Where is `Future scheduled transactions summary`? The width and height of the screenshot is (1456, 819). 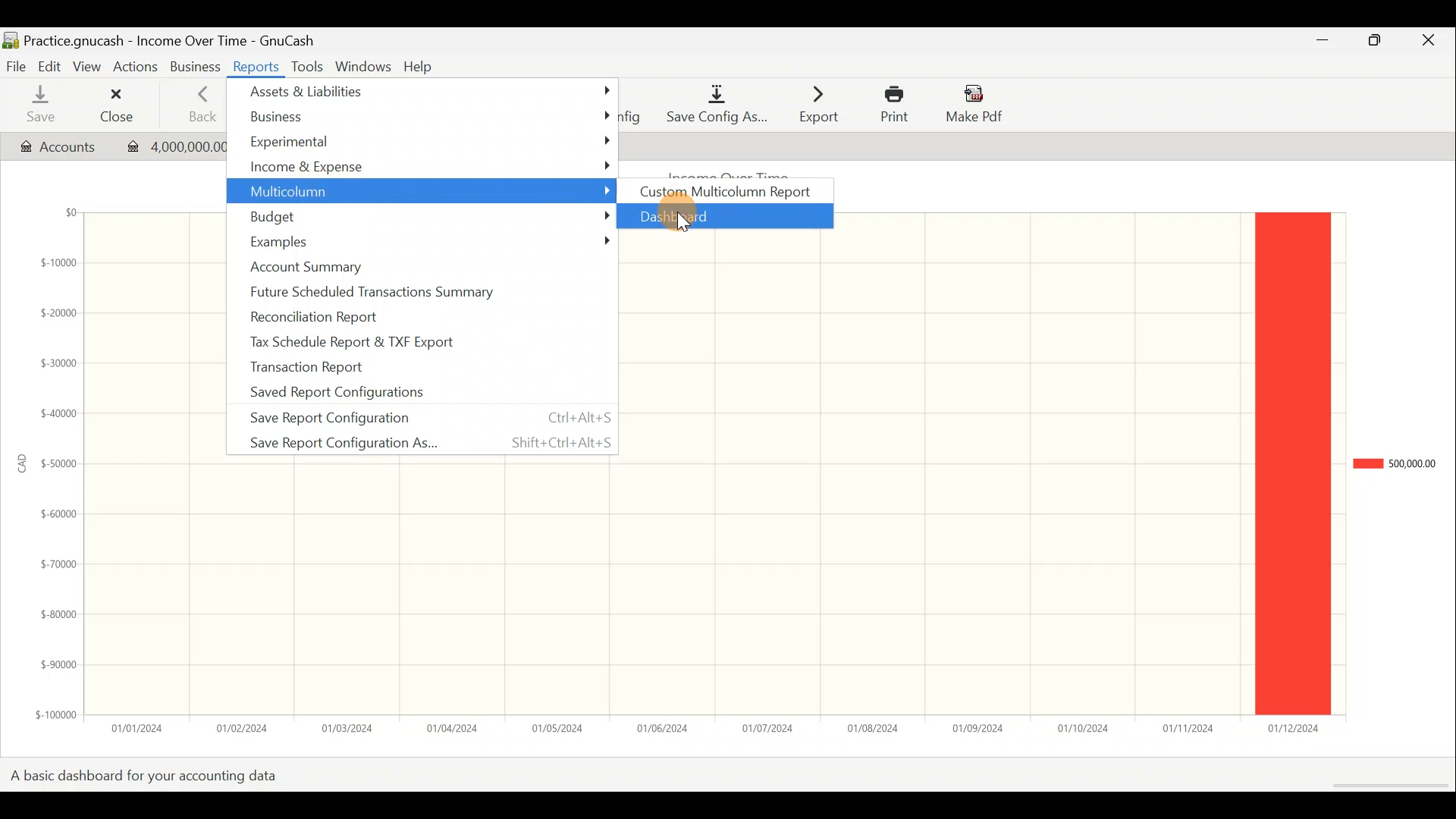 Future scheduled transactions summary is located at coordinates (417, 295).